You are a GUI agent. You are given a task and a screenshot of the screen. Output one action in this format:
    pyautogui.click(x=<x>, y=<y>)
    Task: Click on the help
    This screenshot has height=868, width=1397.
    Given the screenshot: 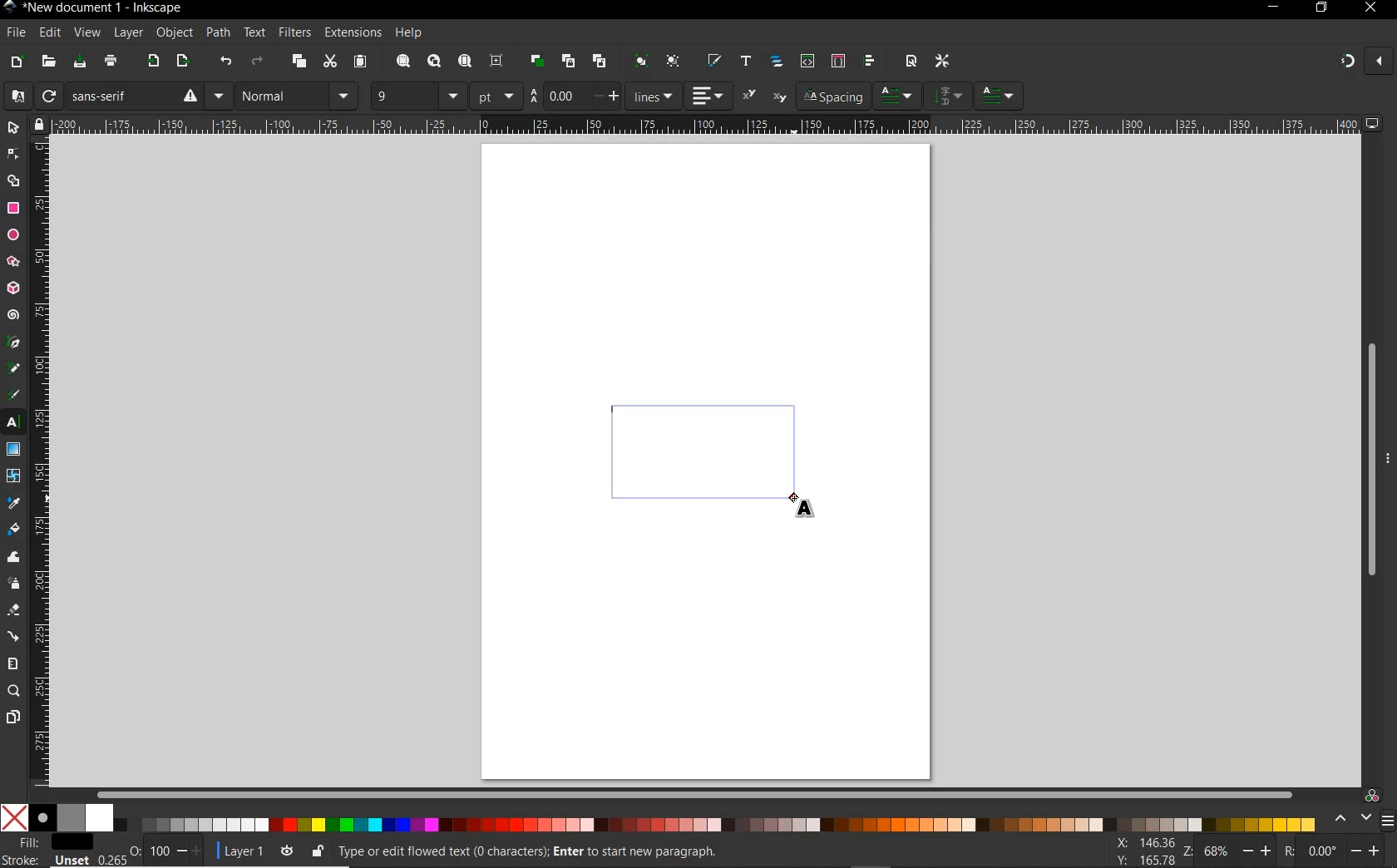 What is the action you would take?
    pyautogui.click(x=410, y=33)
    